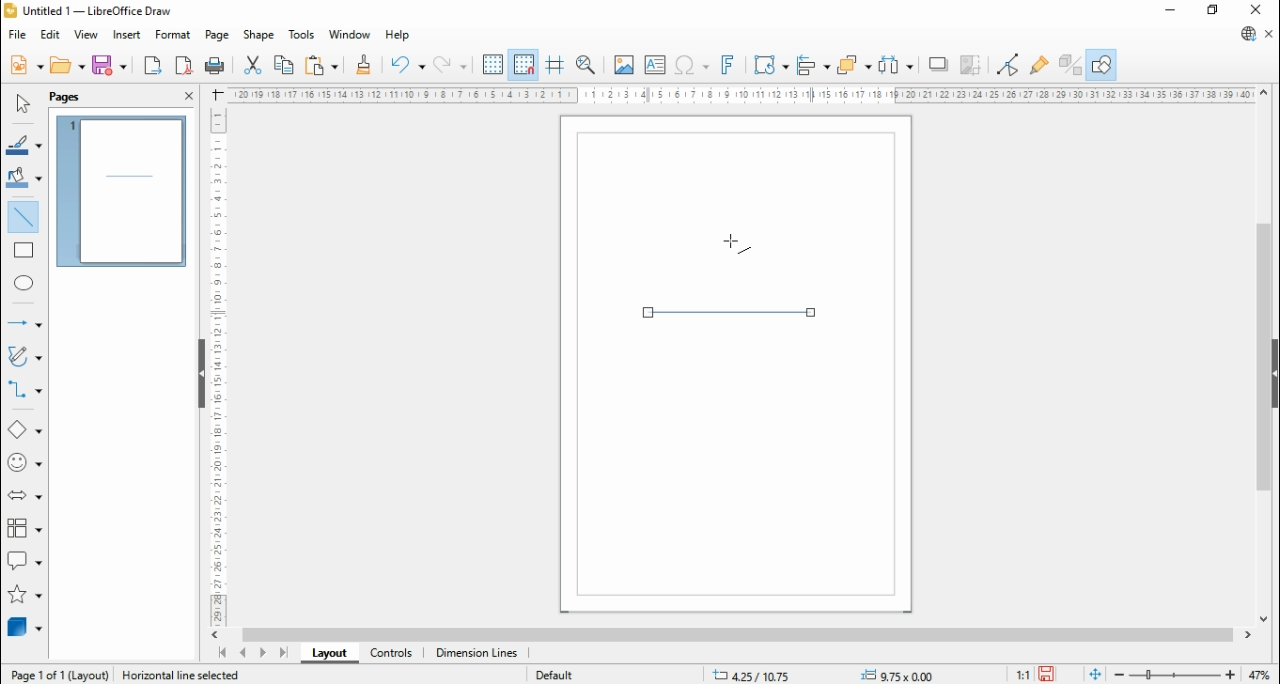  Describe the element at coordinates (653, 64) in the screenshot. I see `insert text box` at that location.